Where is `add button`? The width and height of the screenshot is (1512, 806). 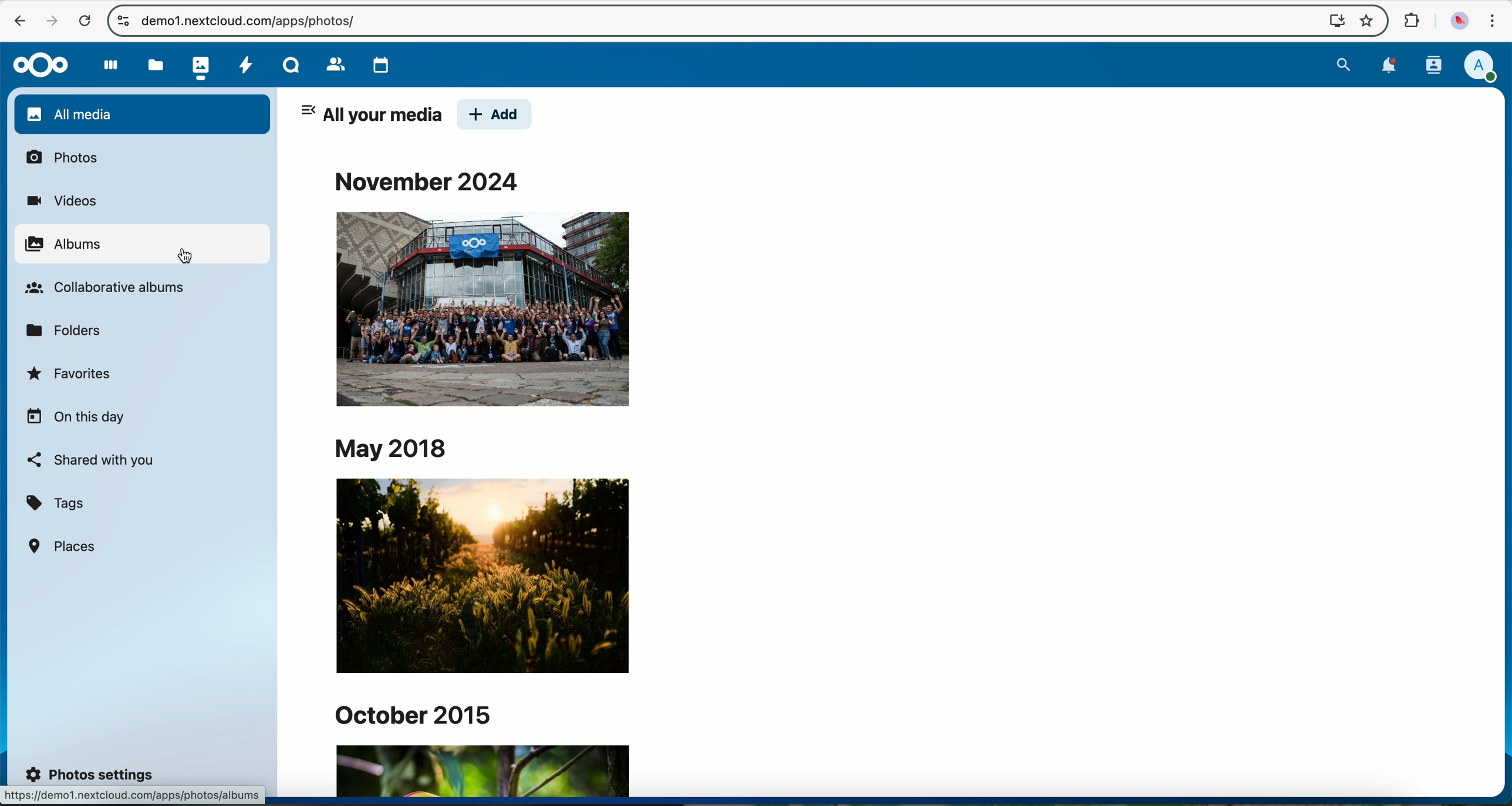 add button is located at coordinates (494, 114).